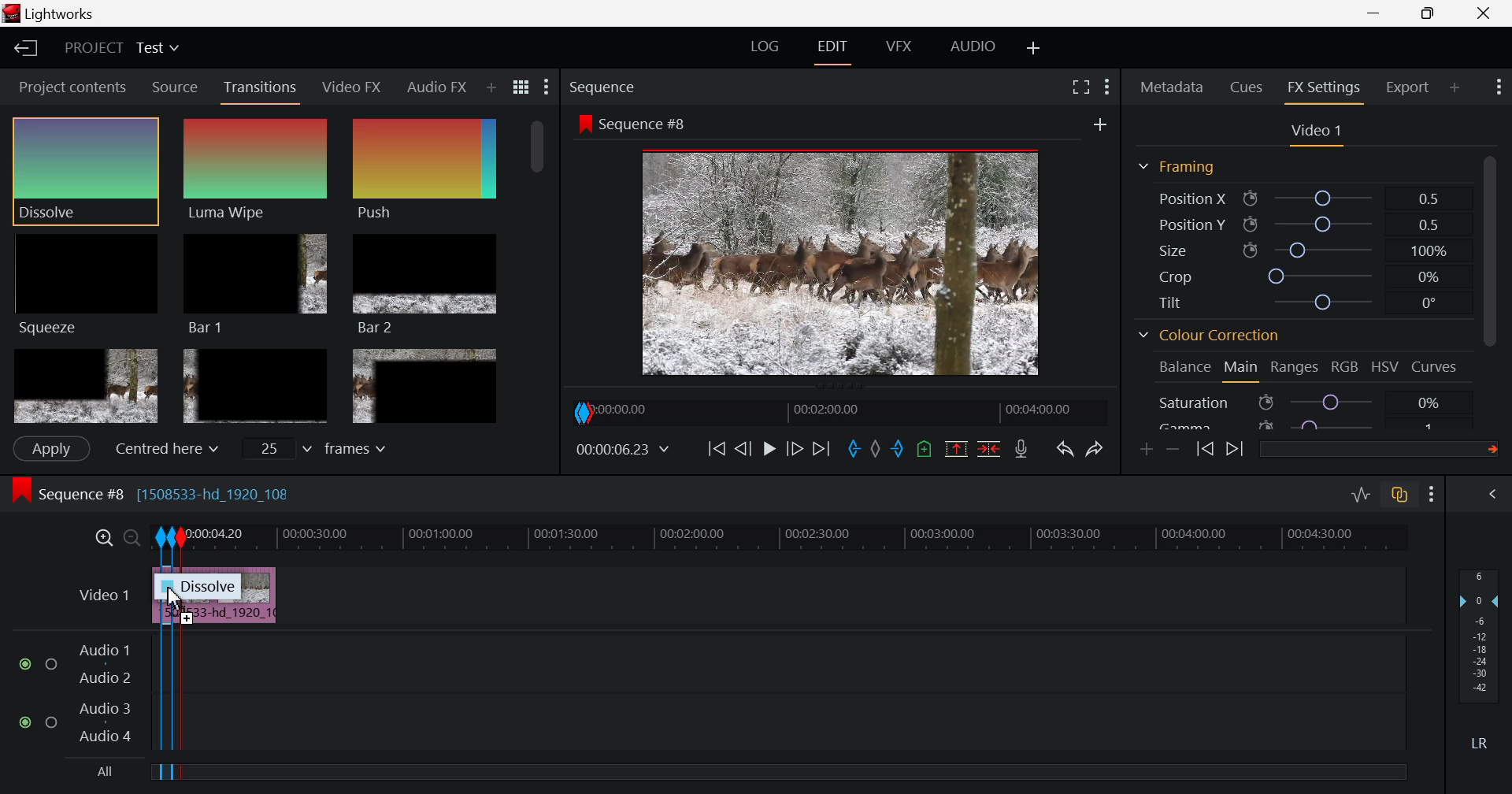 This screenshot has height=794, width=1512. I want to click on Video Frame Time, so click(624, 450).